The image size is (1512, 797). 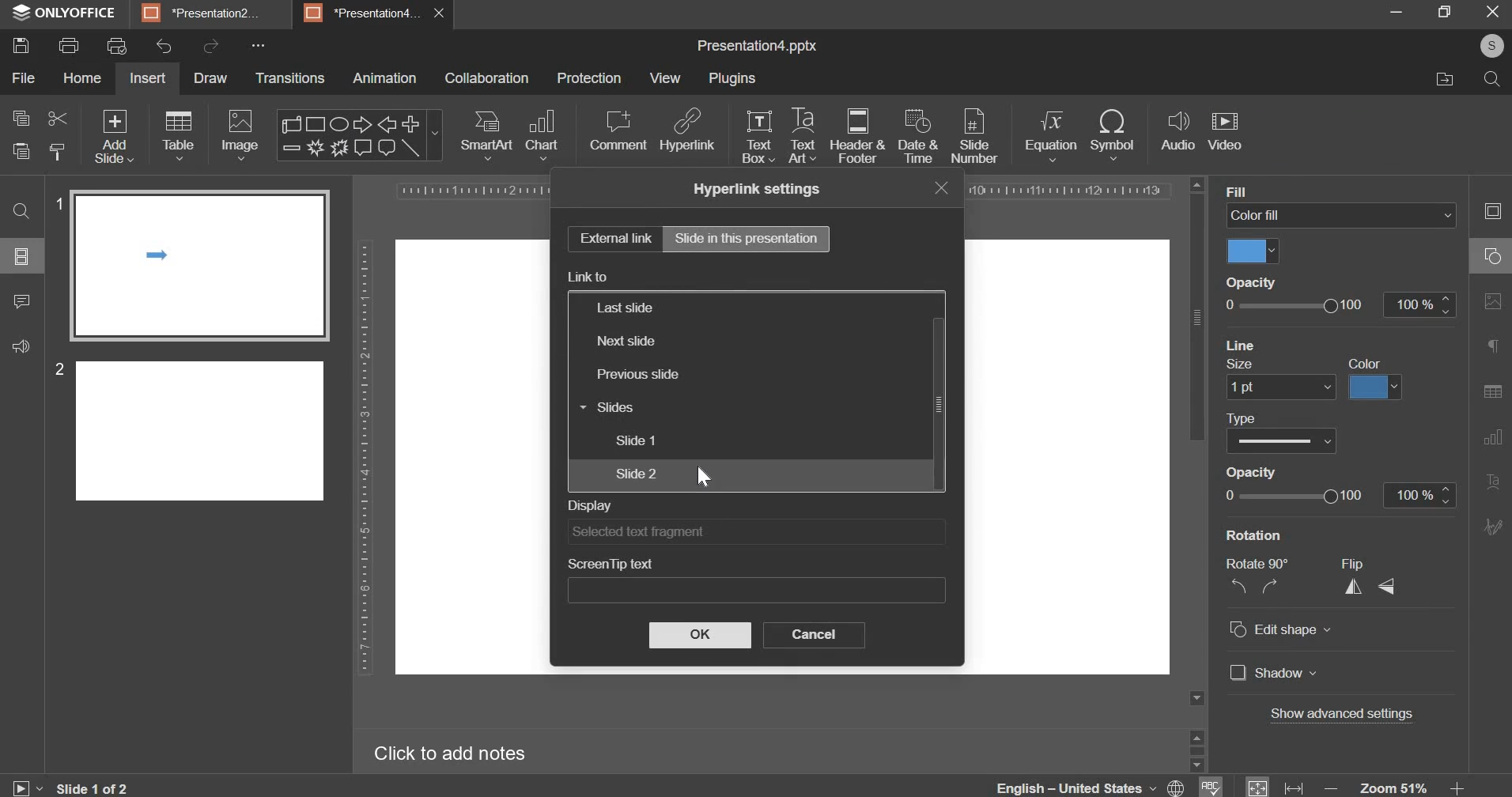 I want to click on slide 2, so click(x=189, y=428).